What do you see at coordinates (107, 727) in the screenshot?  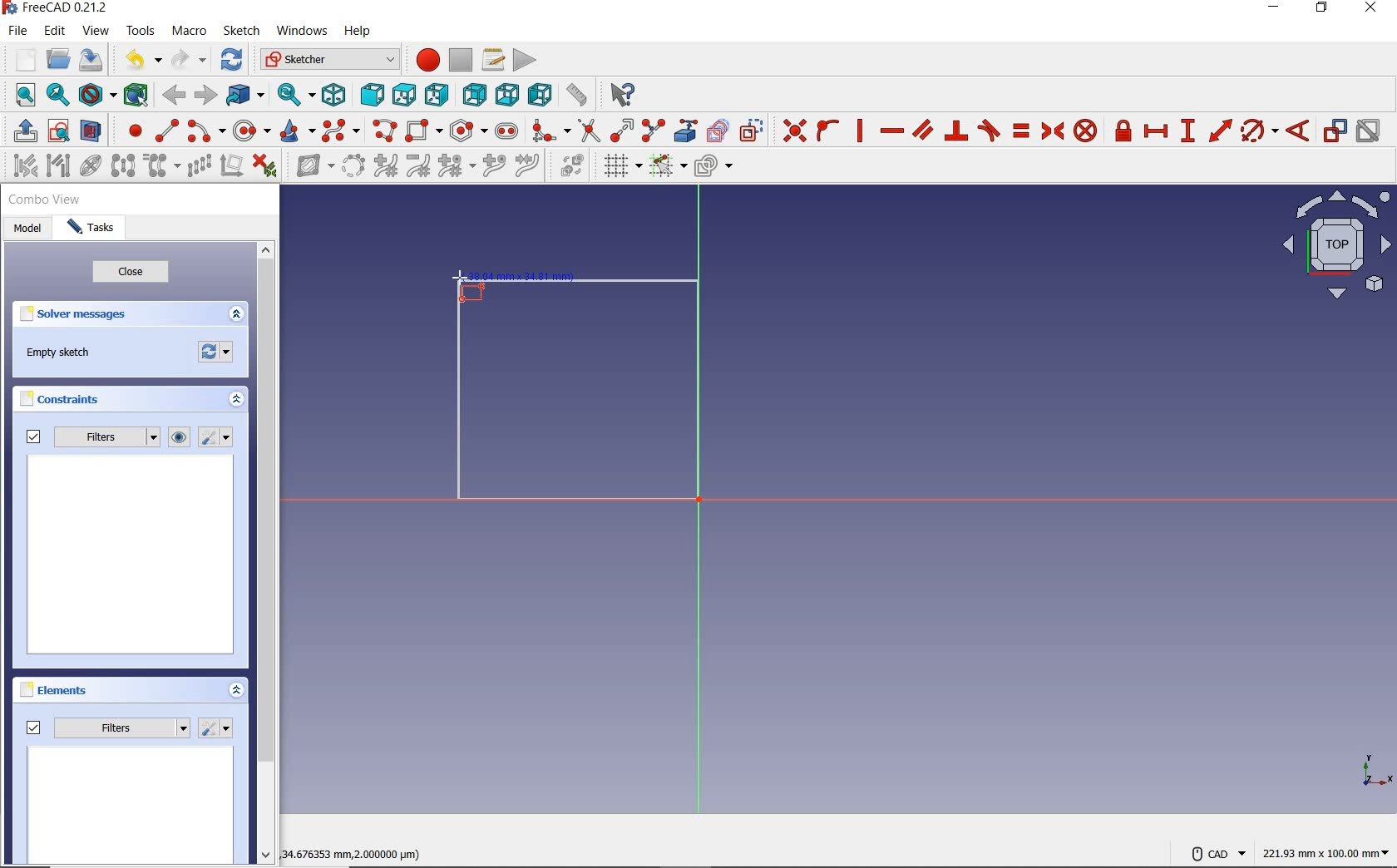 I see `filters` at bounding box center [107, 727].